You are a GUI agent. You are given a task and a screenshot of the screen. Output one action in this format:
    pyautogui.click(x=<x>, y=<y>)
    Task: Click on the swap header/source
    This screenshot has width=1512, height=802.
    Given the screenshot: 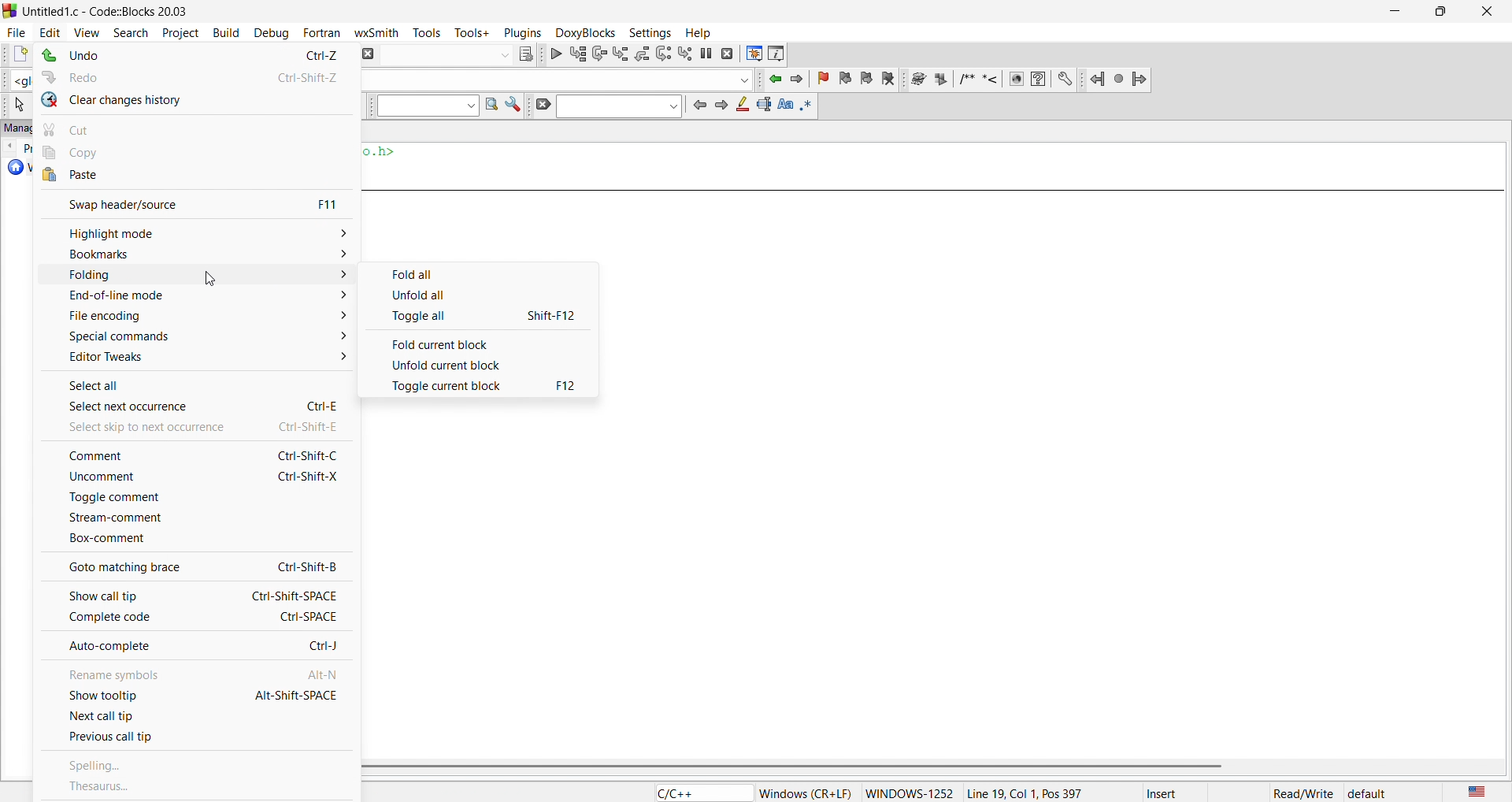 What is the action you would take?
    pyautogui.click(x=192, y=202)
    